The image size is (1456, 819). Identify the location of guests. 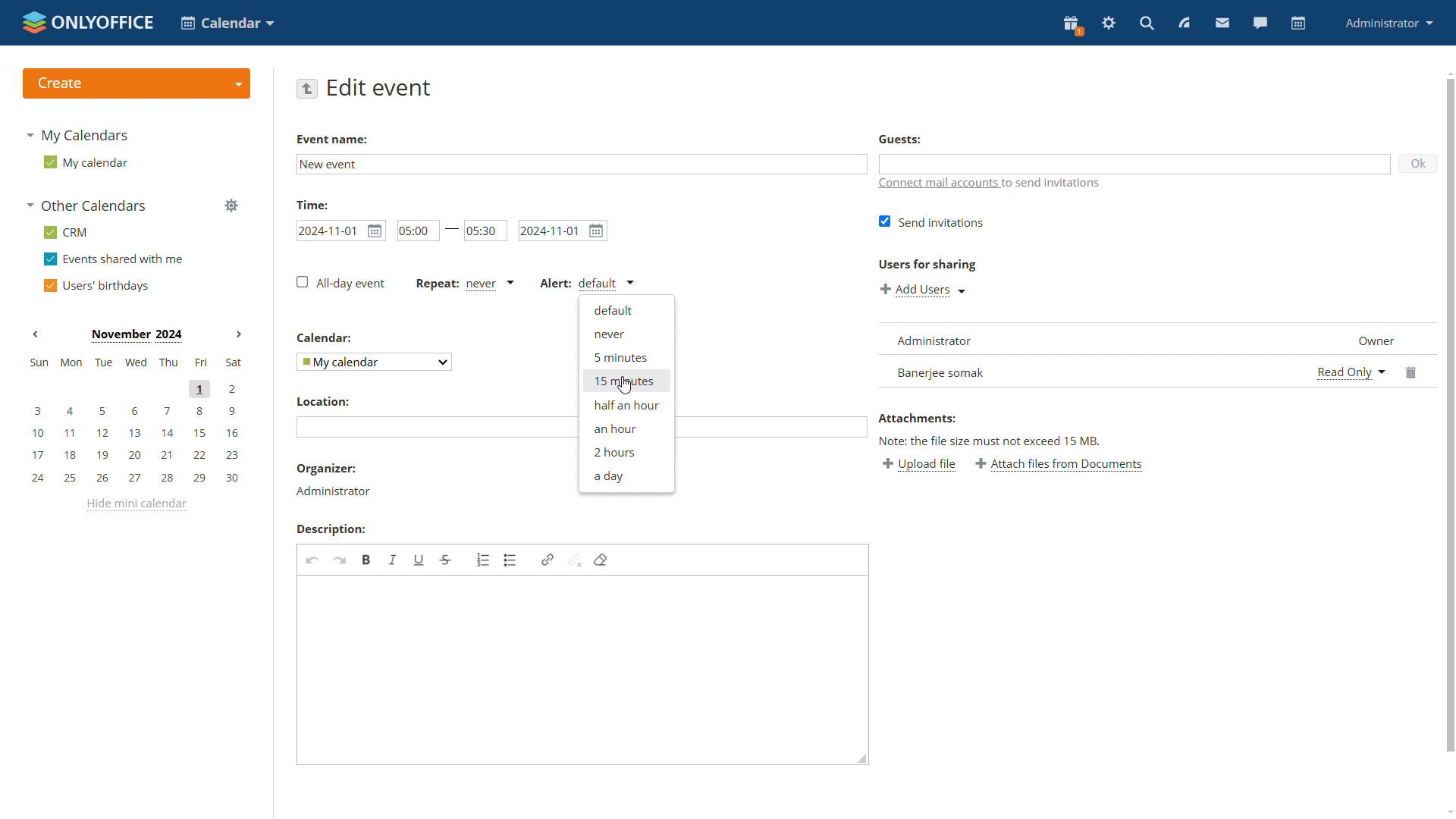
(901, 140).